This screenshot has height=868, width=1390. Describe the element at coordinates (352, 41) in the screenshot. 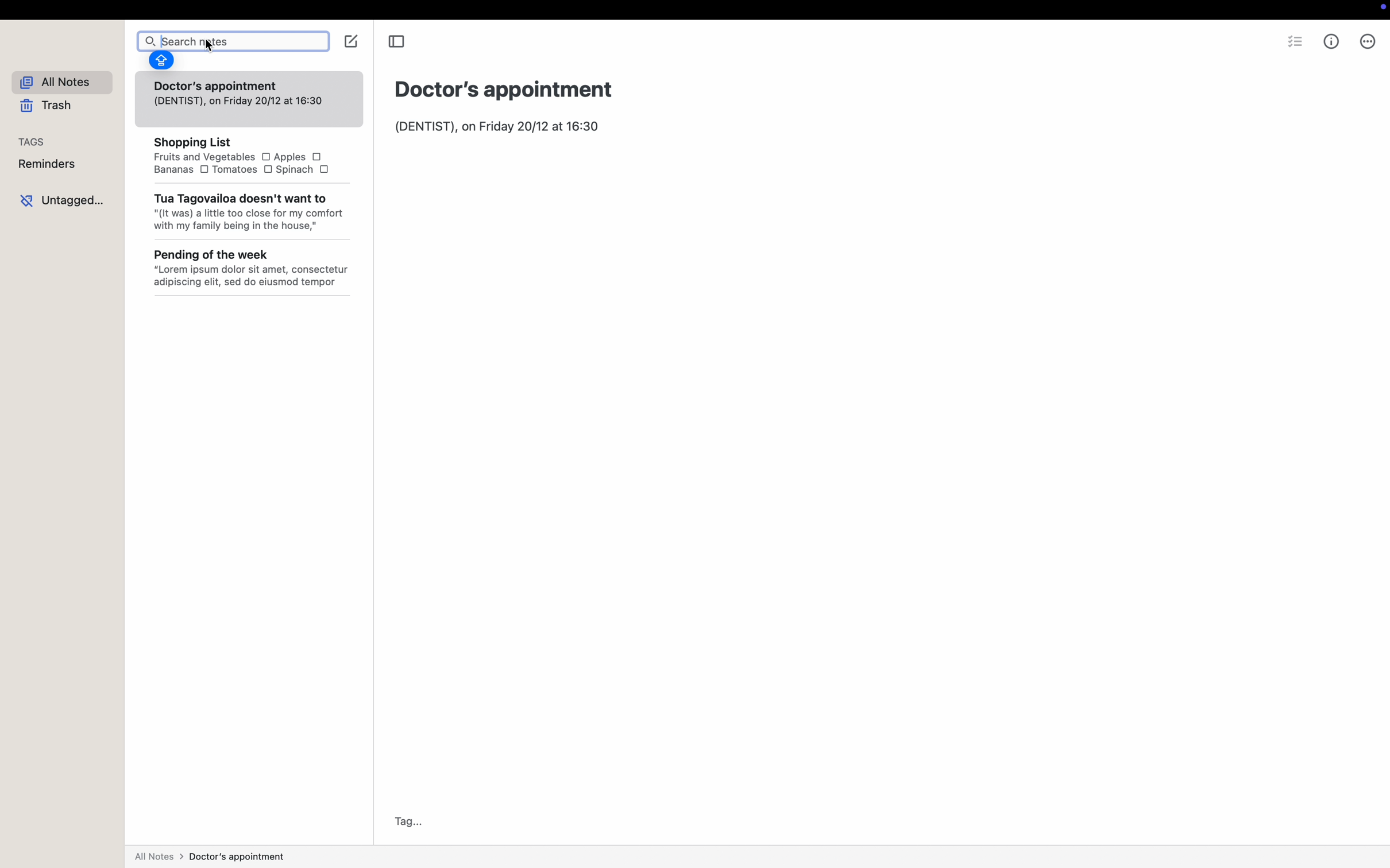

I see `create note` at that location.